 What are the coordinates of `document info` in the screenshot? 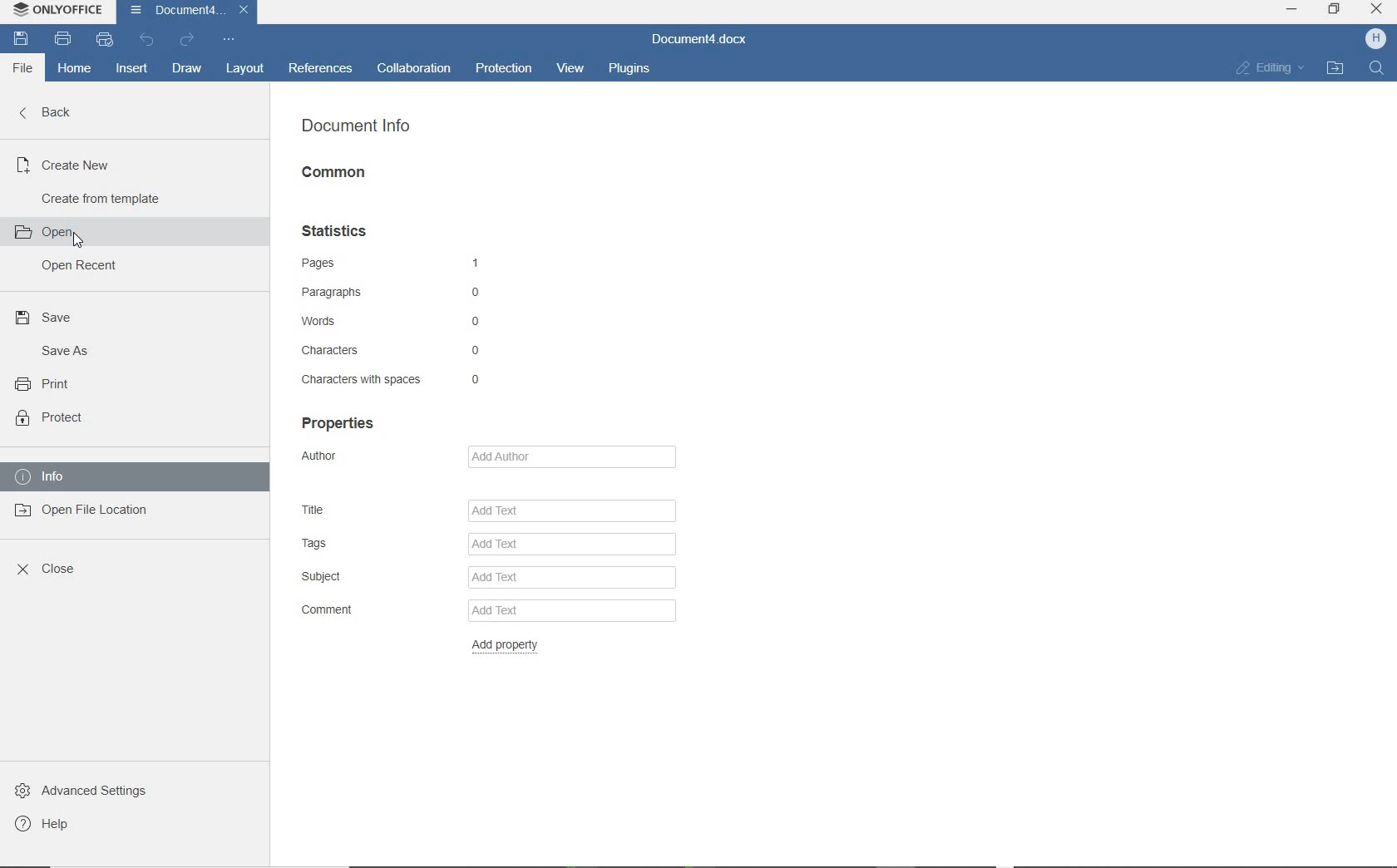 It's located at (357, 129).